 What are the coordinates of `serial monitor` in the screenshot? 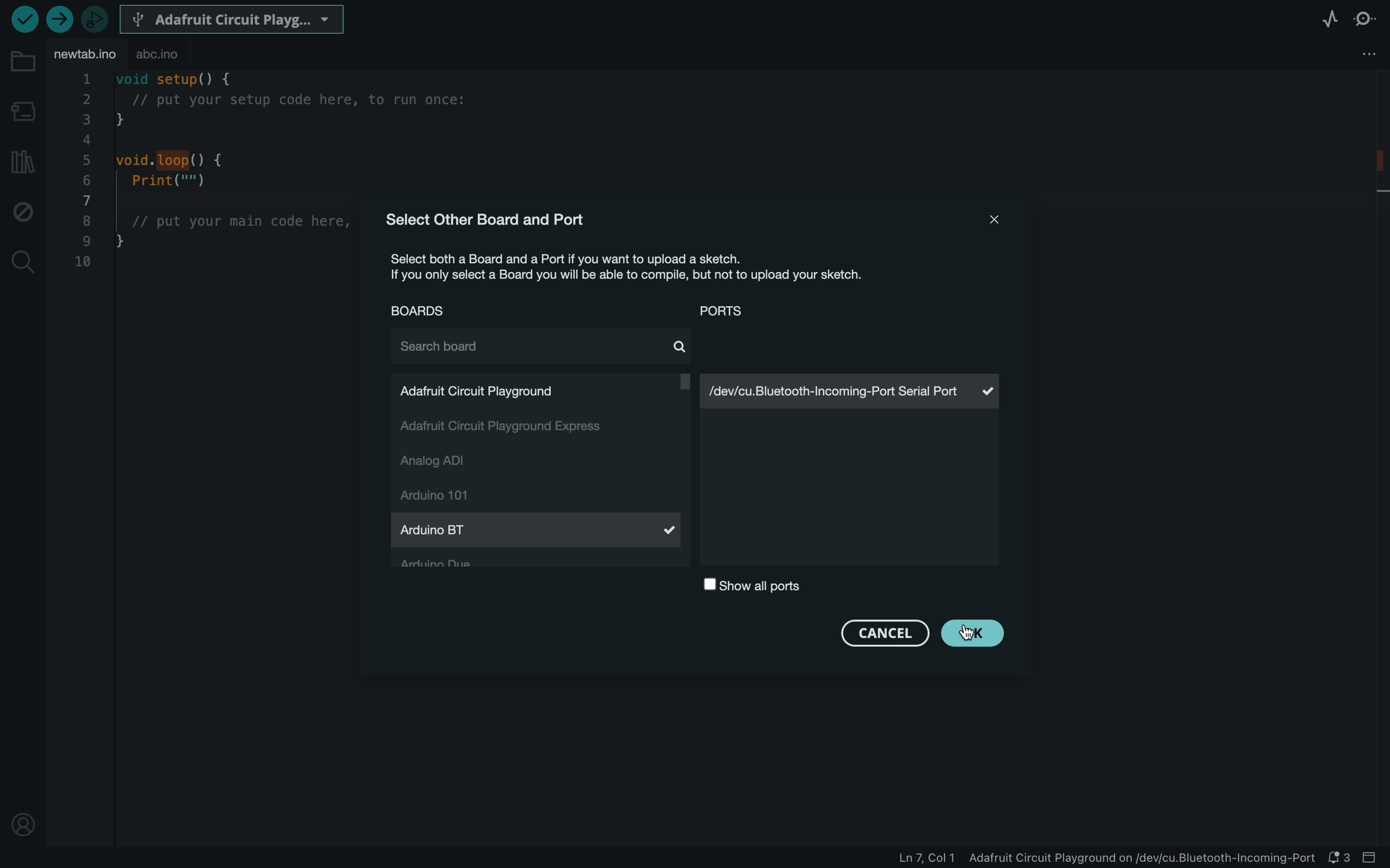 It's located at (1370, 21).